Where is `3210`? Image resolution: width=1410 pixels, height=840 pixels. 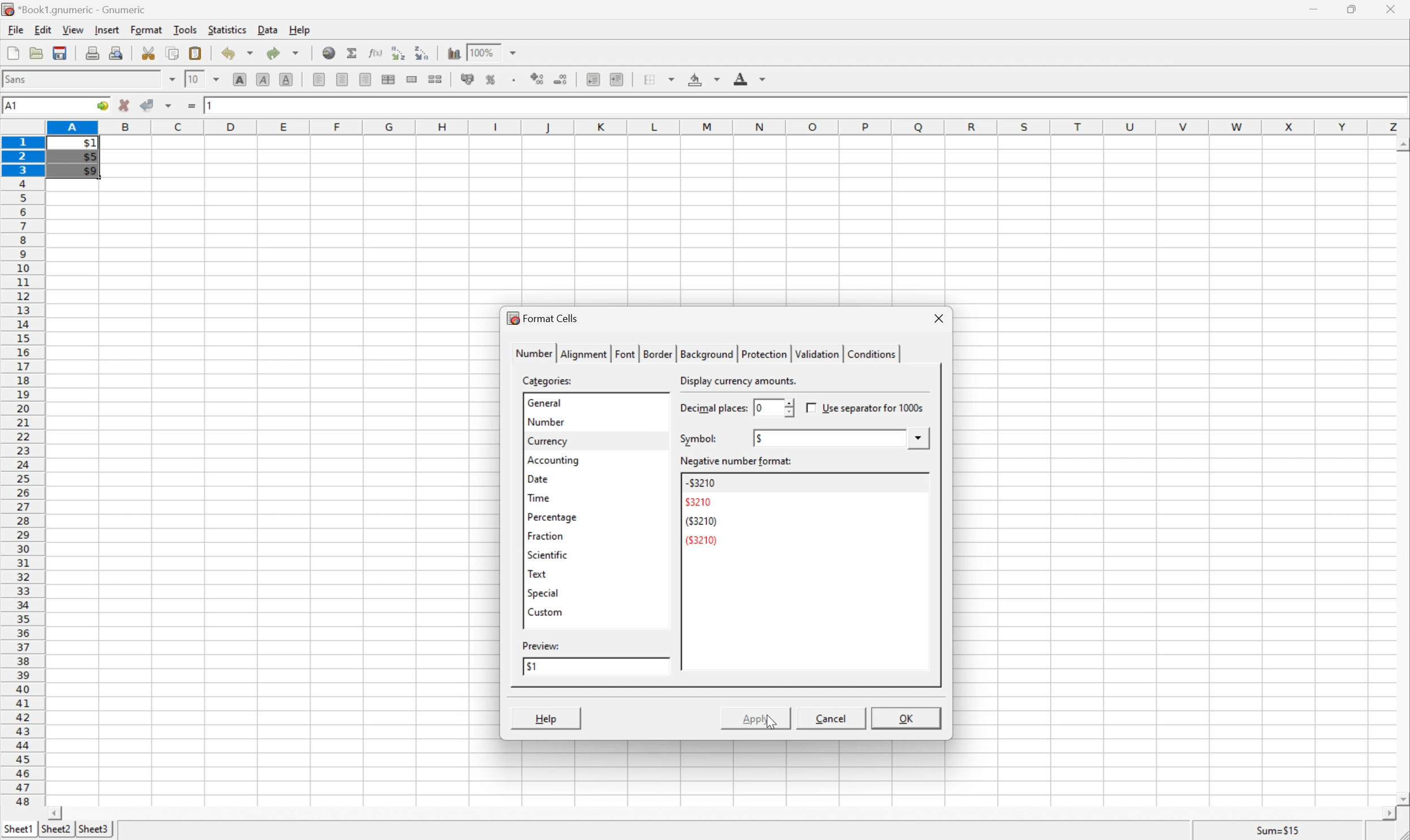
3210 is located at coordinates (698, 502).